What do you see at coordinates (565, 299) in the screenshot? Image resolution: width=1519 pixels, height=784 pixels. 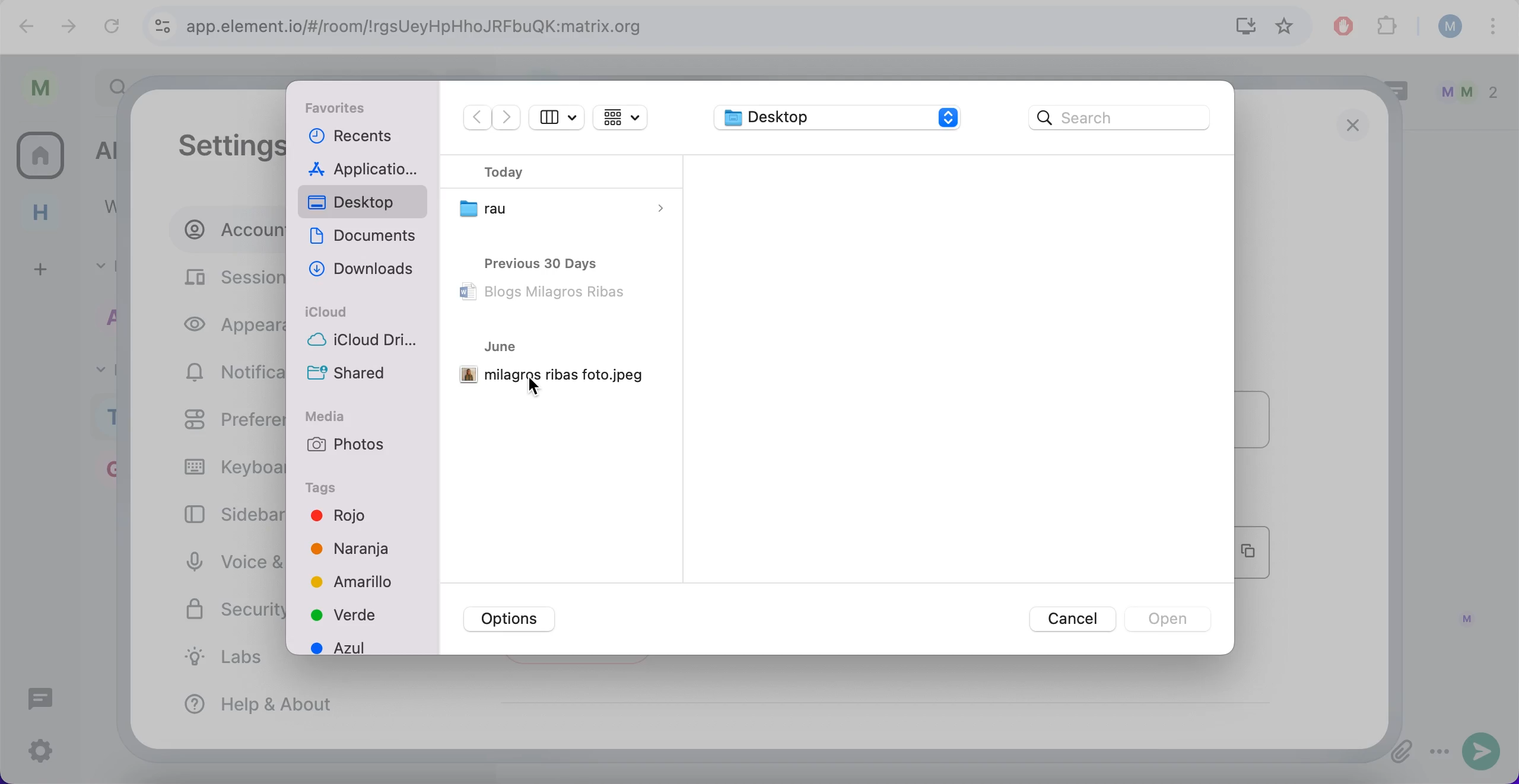 I see `files` at bounding box center [565, 299].